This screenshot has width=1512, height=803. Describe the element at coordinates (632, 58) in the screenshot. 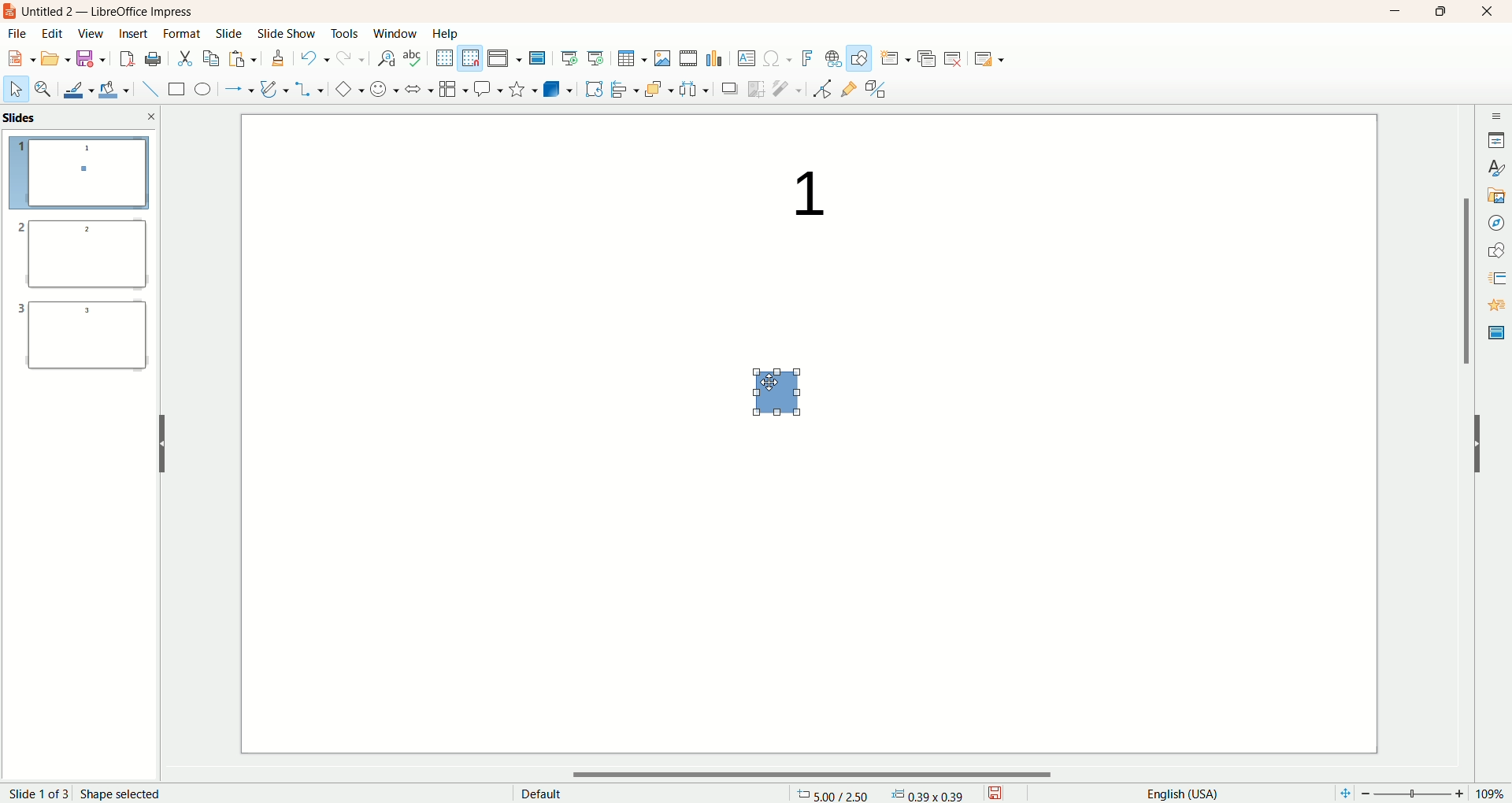

I see `insert table` at that location.